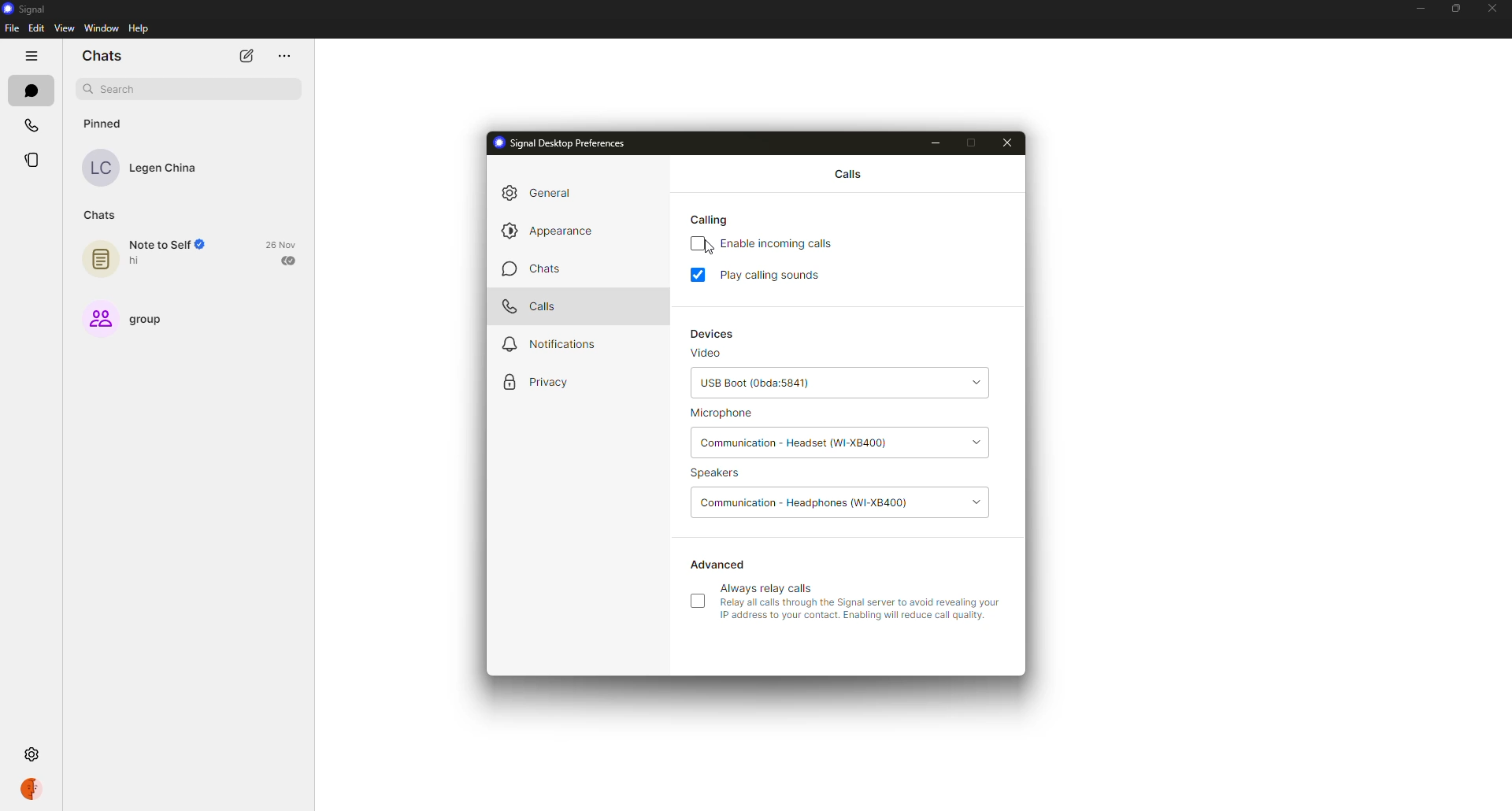  What do you see at coordinates (280, 244) in the screenshot?
I see `date` at bounding box center [280, 244].